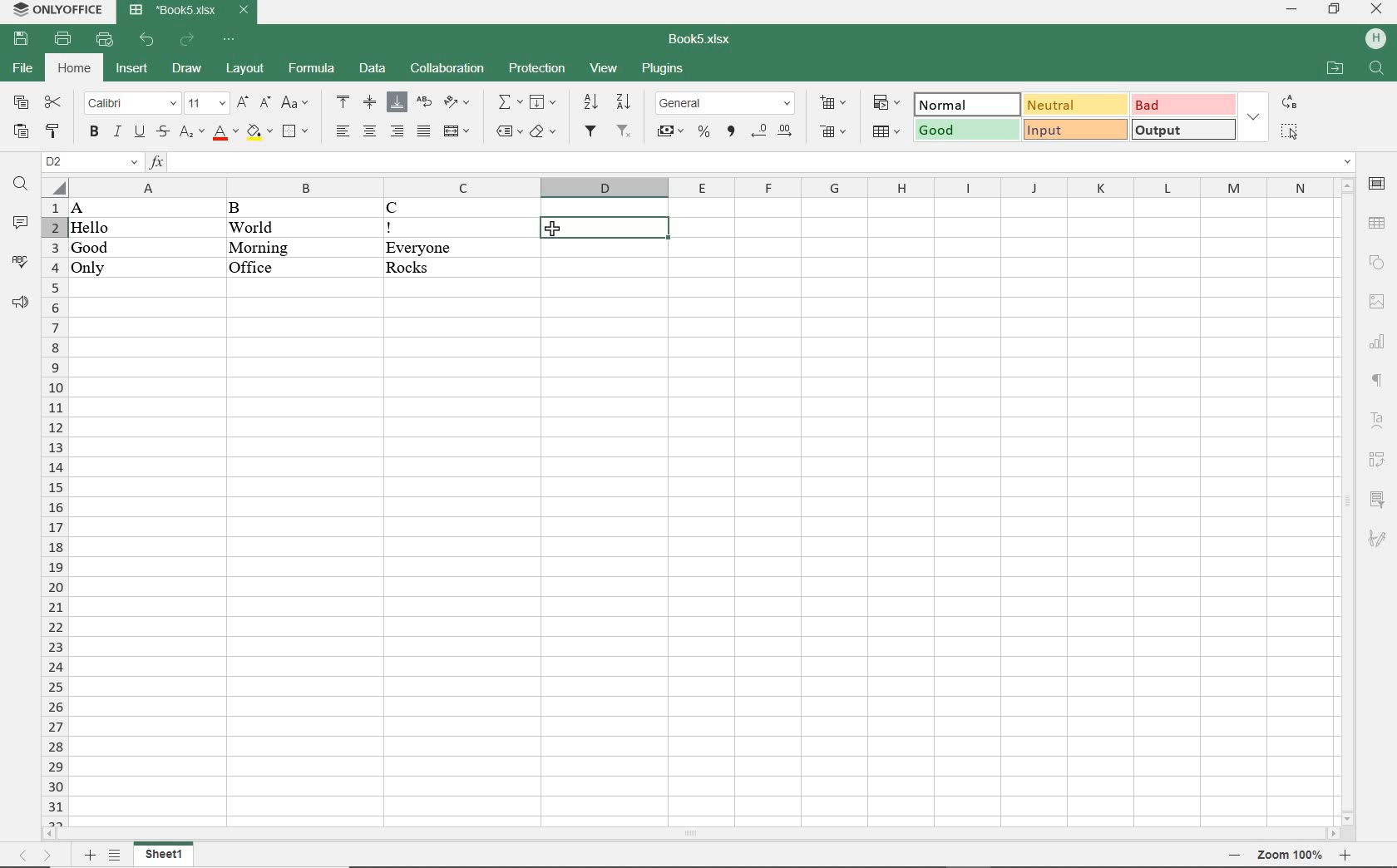 This screenshot has width=1397, height=868. What do you see at coordinates (20, 133) in the screenshot?
I see `paste` at bounding box center [20, 133].